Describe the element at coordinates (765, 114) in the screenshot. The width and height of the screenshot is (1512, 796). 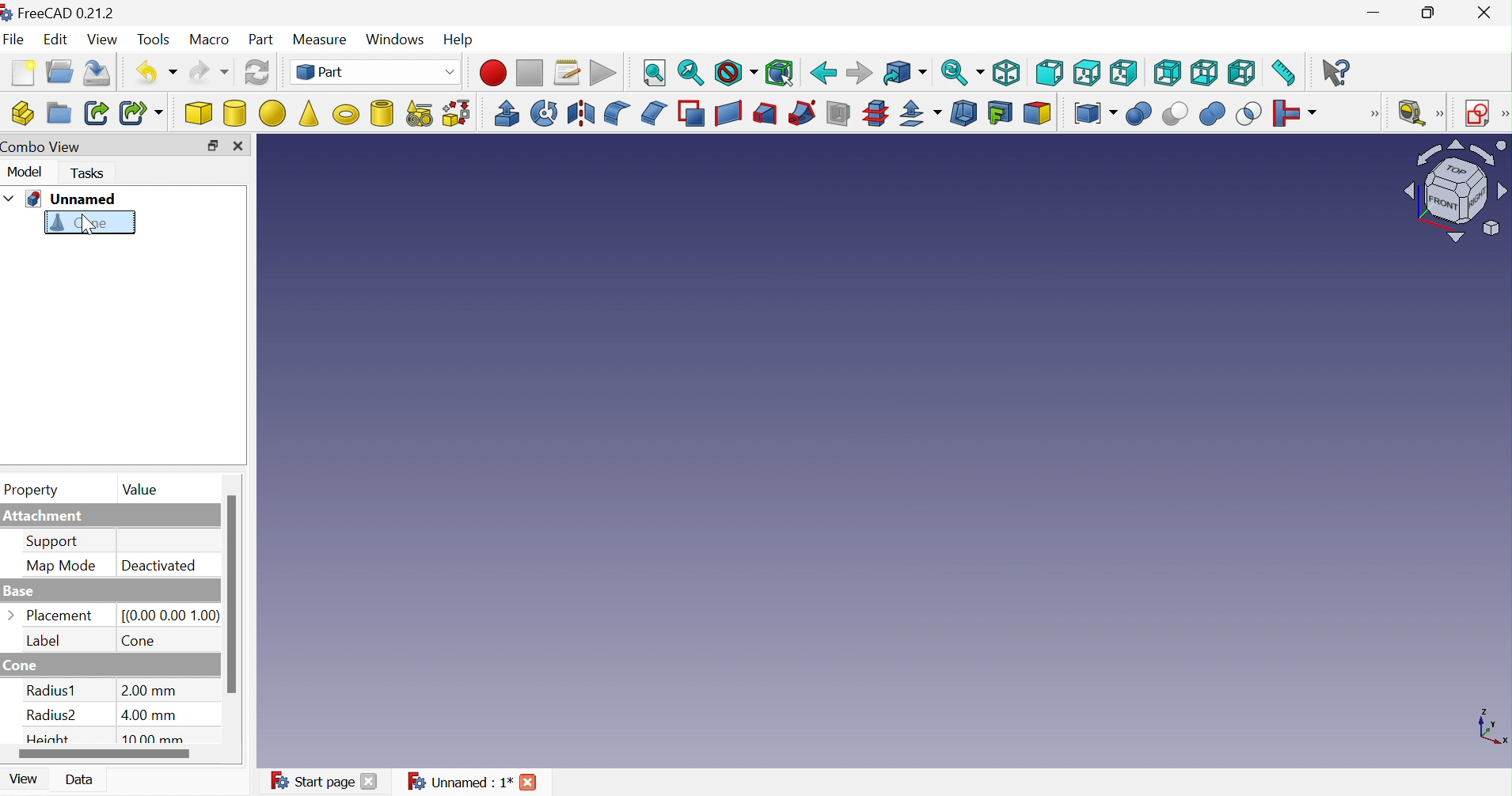
I see `Loft` at that location.